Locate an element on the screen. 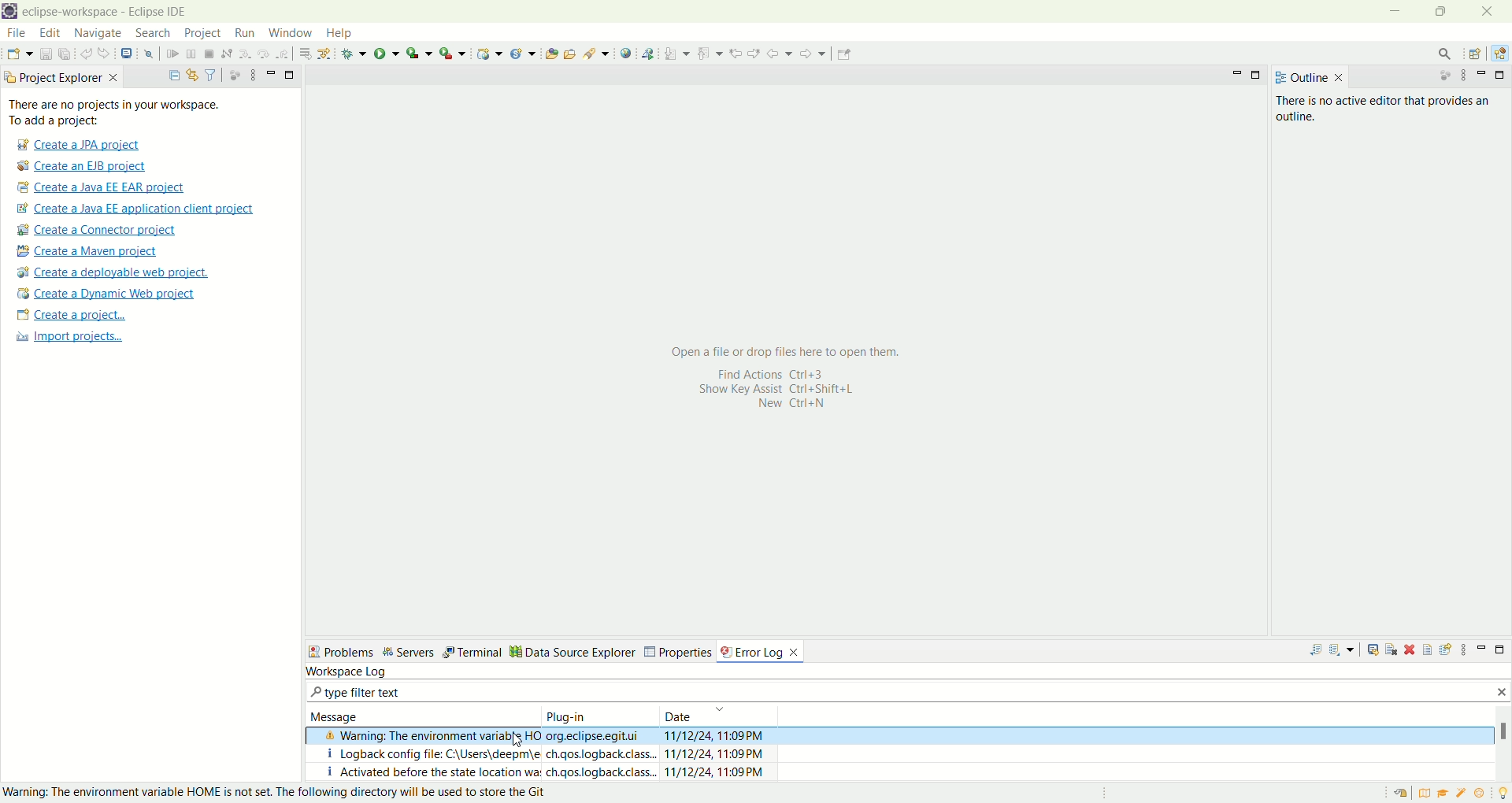  error log is located at coordinates (768, 650).